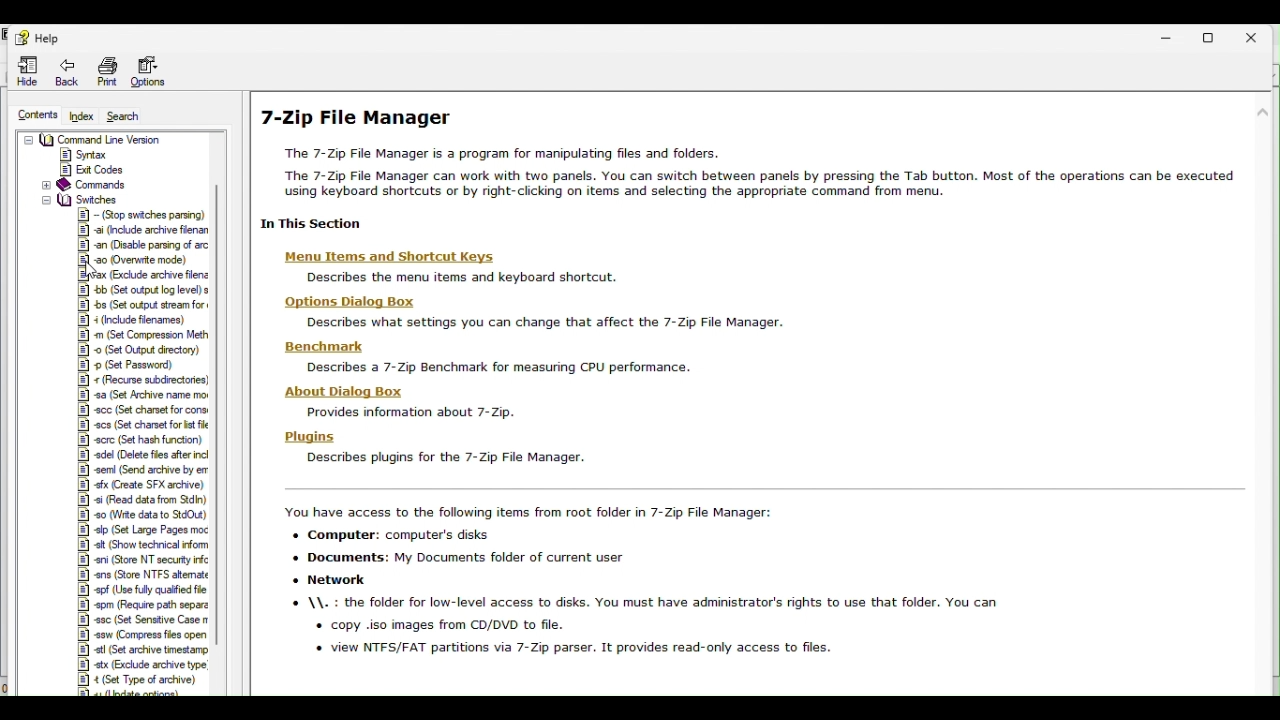 This screenshot has width=1280, height=720. What do you see at coordinates (356, 391) in the screenshot?
I see `About Dialog Box` at bounding box center [356, 391].